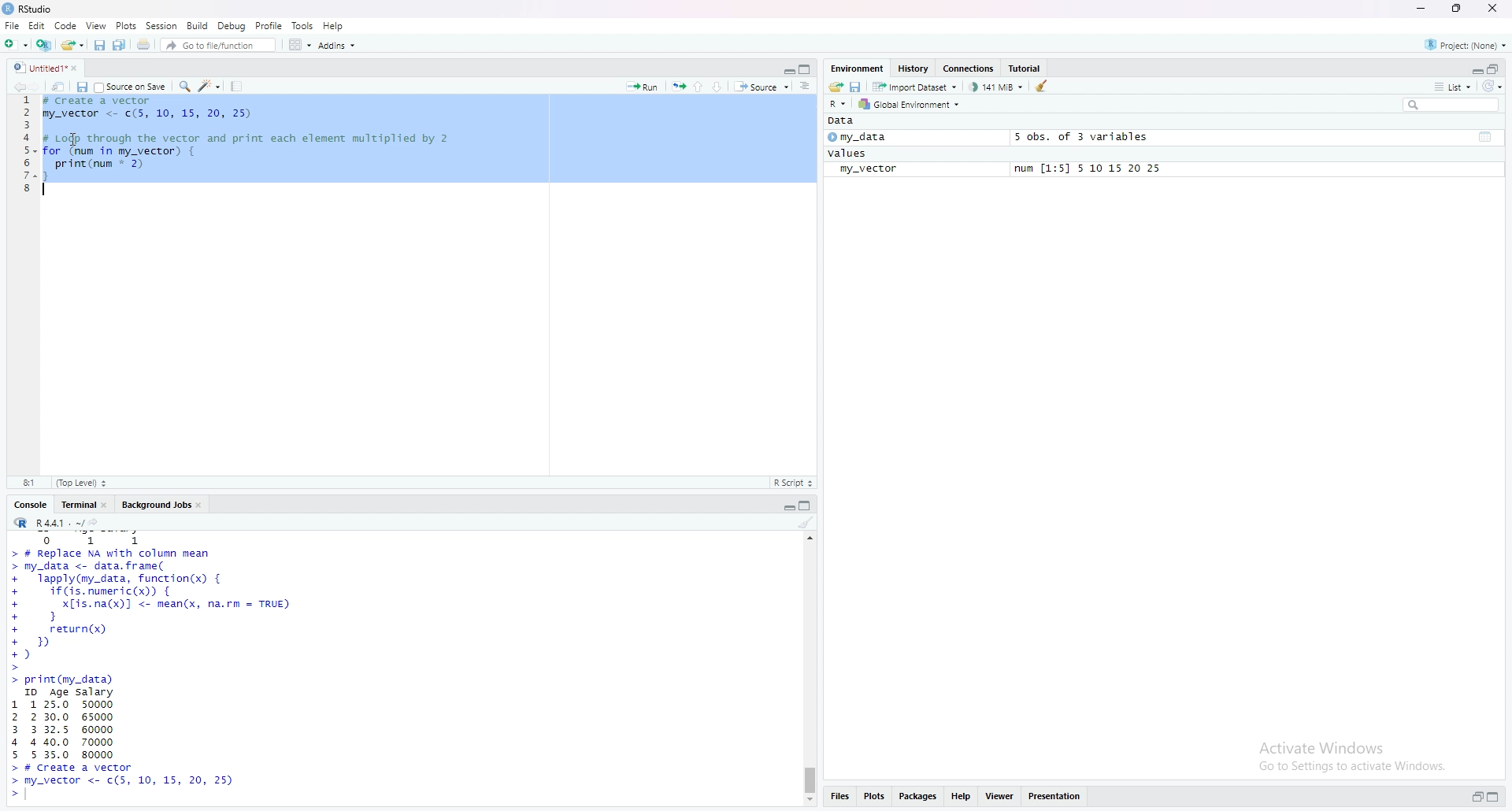 The width and height of the screenshot is (1512, 811). Describe the element at coordinates (1448, 106) in the screenshot. I see `search` at that location.